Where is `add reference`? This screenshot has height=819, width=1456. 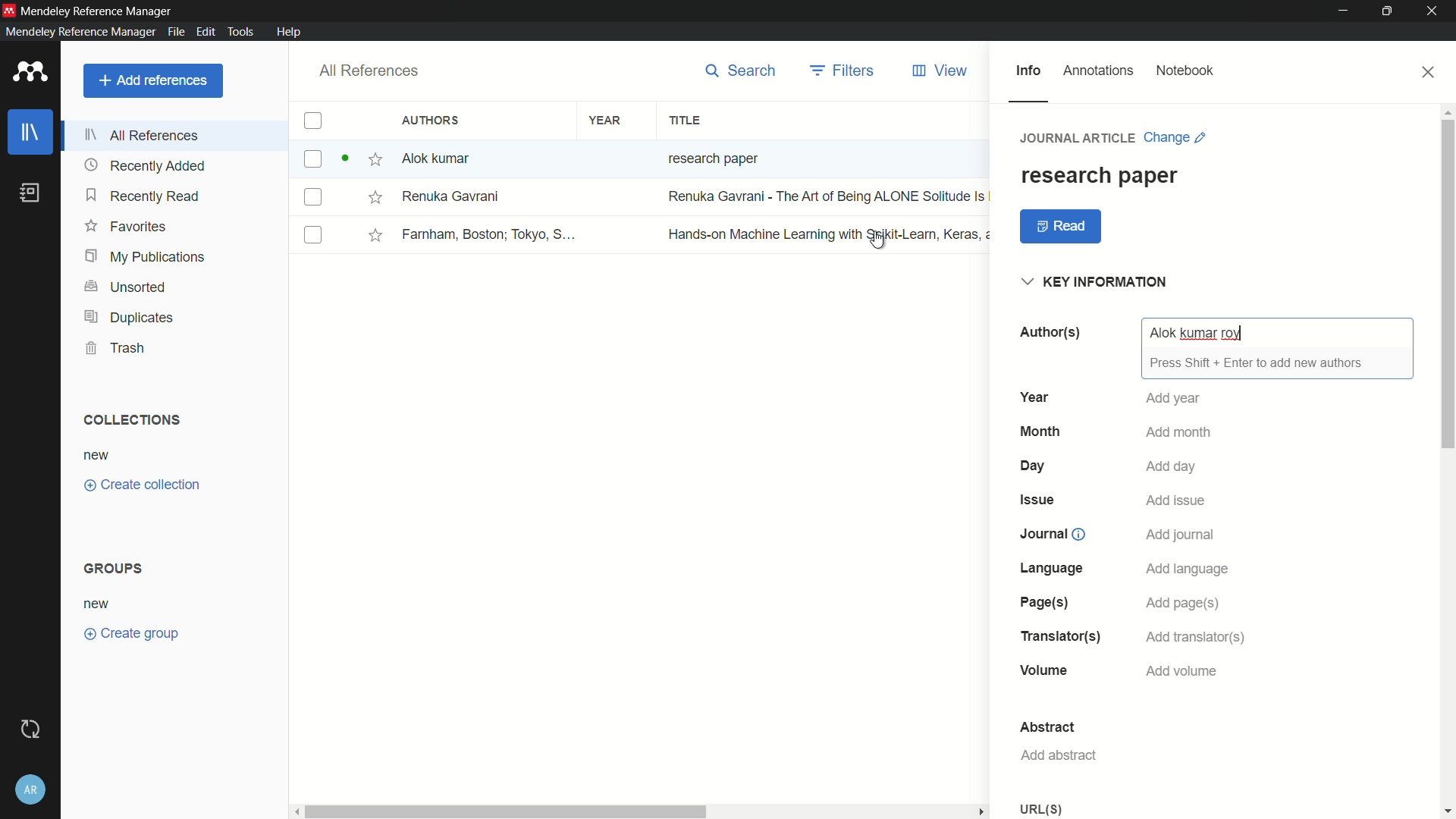 add reference is located at coordinates (152, 80).